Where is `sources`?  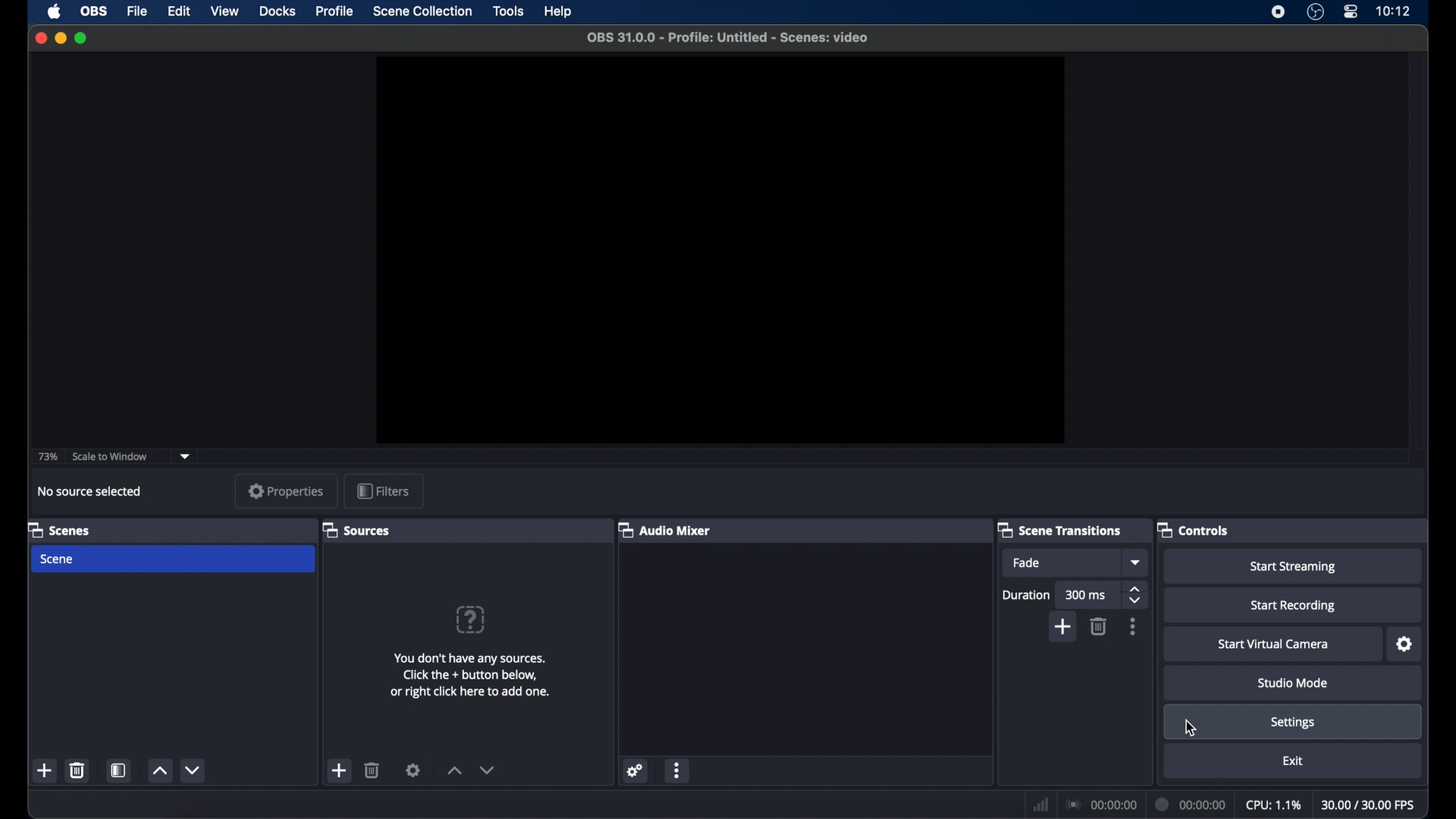 sources is located at coordinates (359, 532).